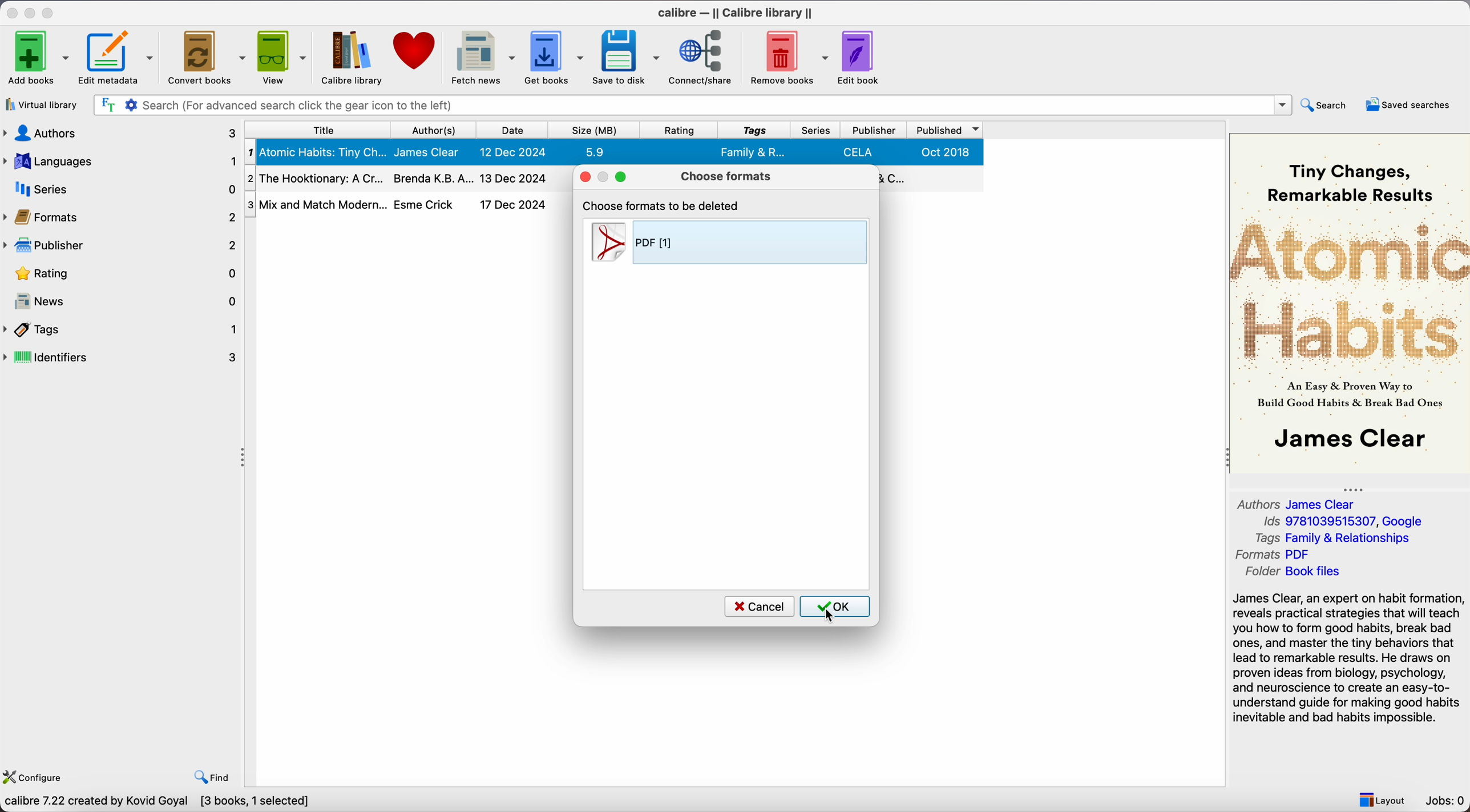 The height and width of the screenshot is (812, 1470). Describe the element at coordinates (433, 177) in the screenshot. I see `Brenda K.B.A...` at that location.